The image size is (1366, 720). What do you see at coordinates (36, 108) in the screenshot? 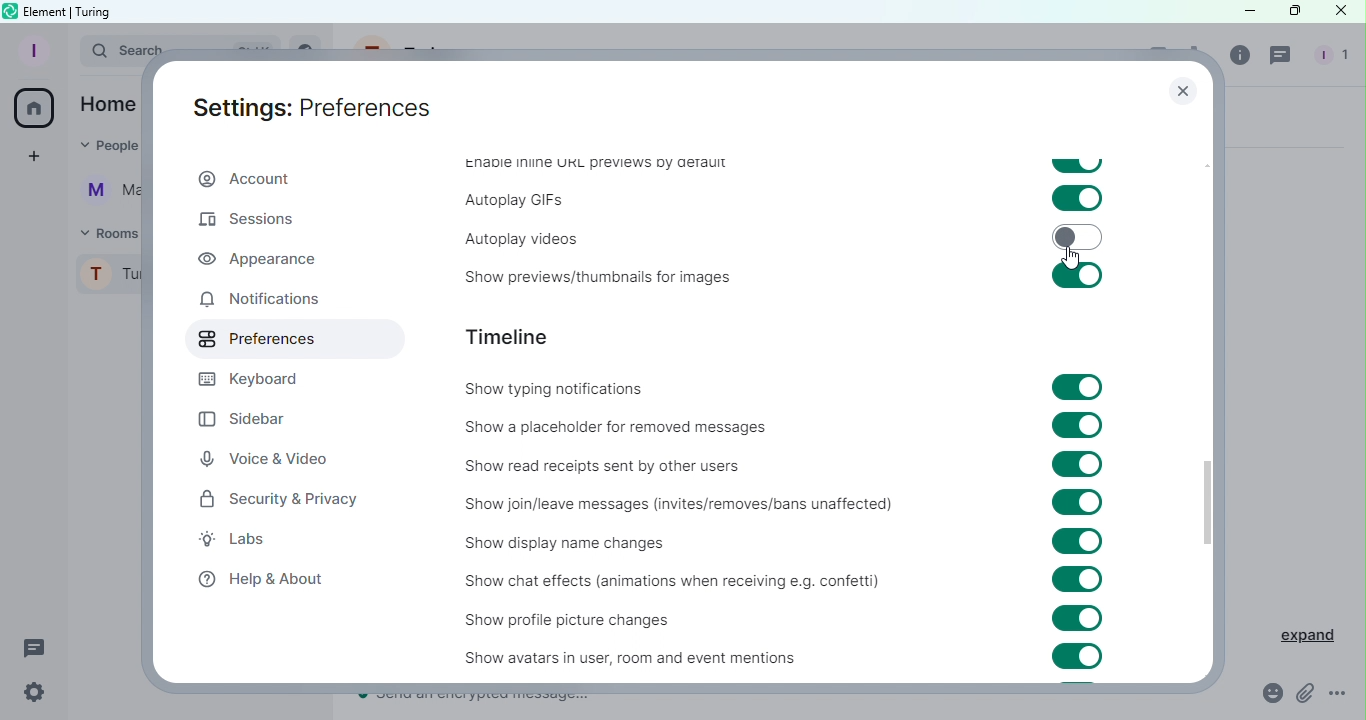
I see `Home` at bounding box center [36, 108].